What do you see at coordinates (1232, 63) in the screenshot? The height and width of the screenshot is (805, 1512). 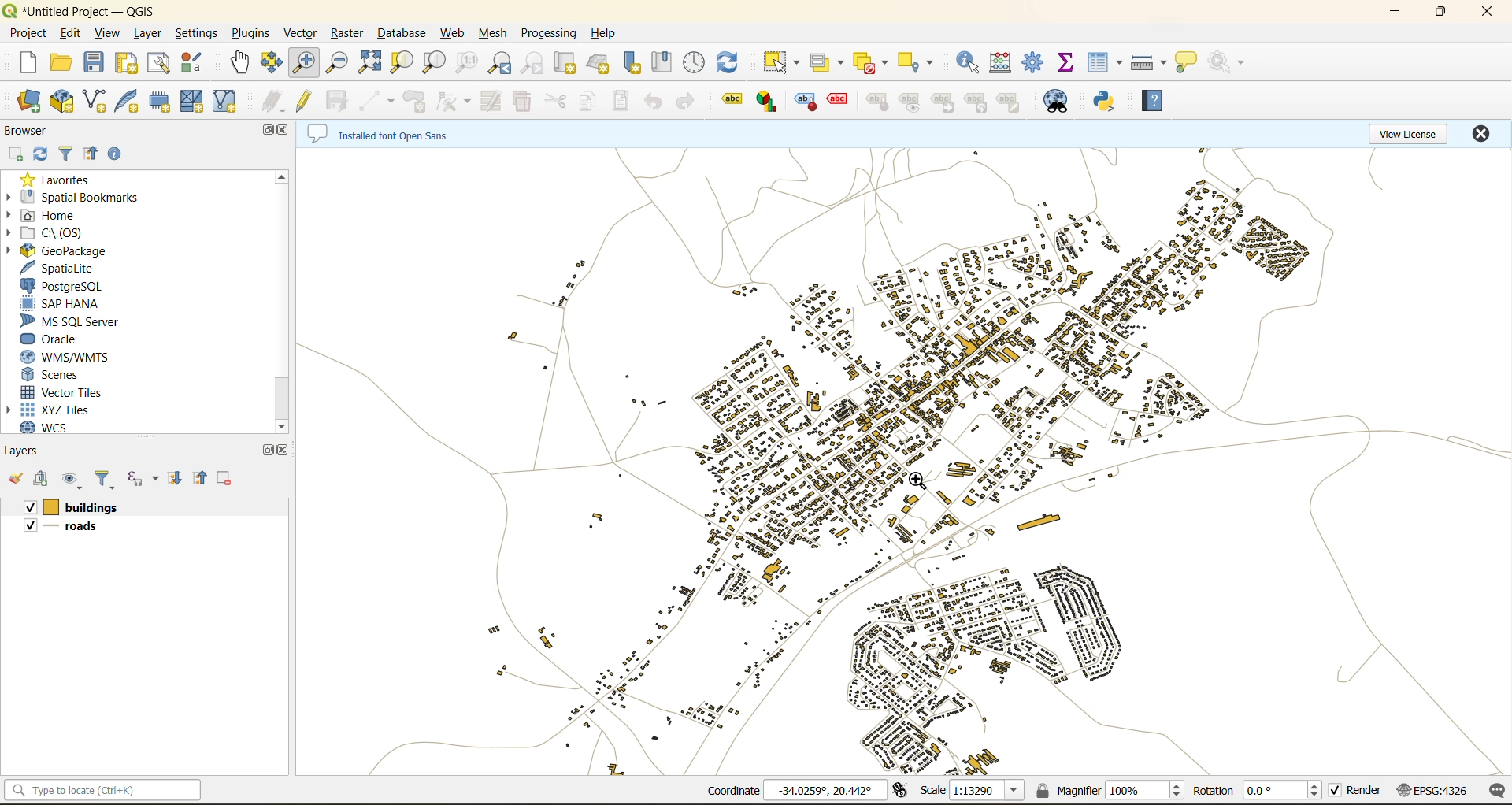 I see `no action` at bounding box center [1232, 63].